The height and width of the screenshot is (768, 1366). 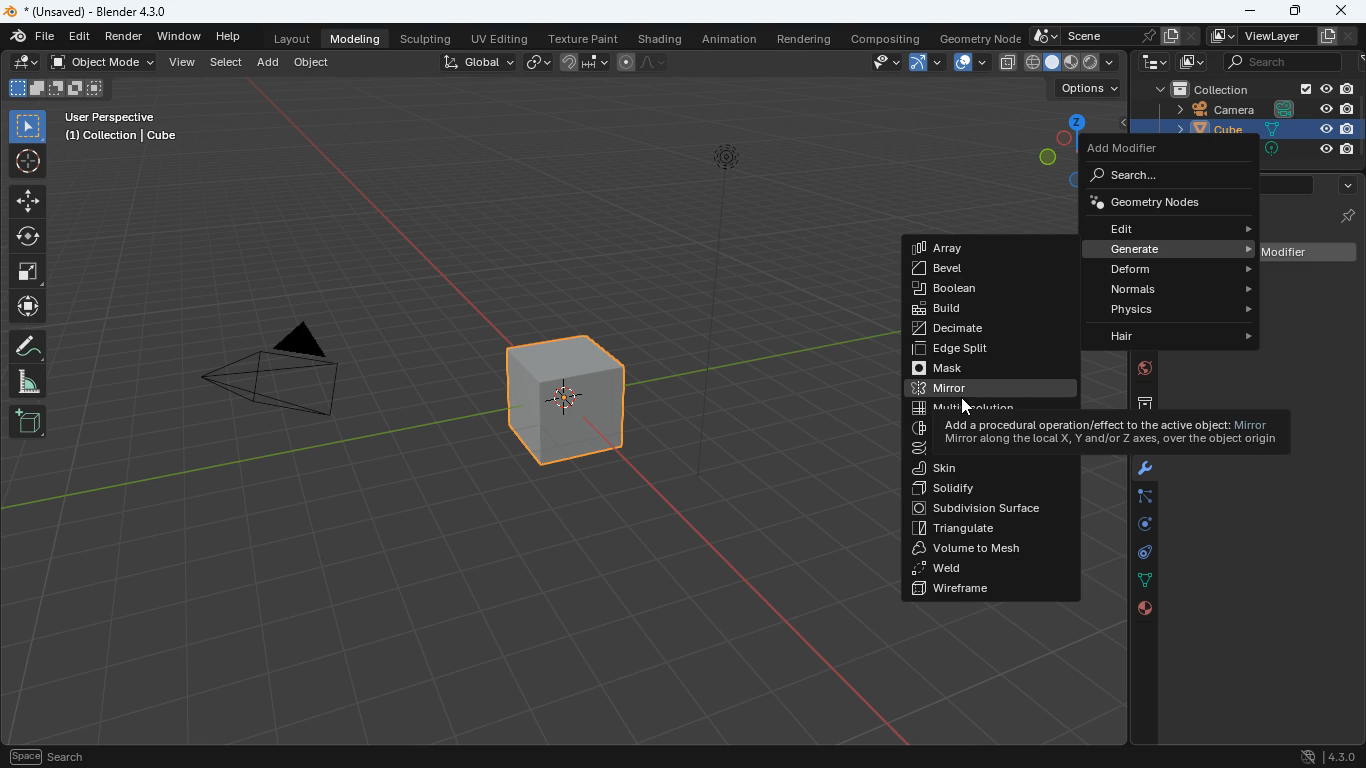 What do you see at coordinates (102, 63) in the screenshot?
I see `object mode` at bounding box center [102, 63].